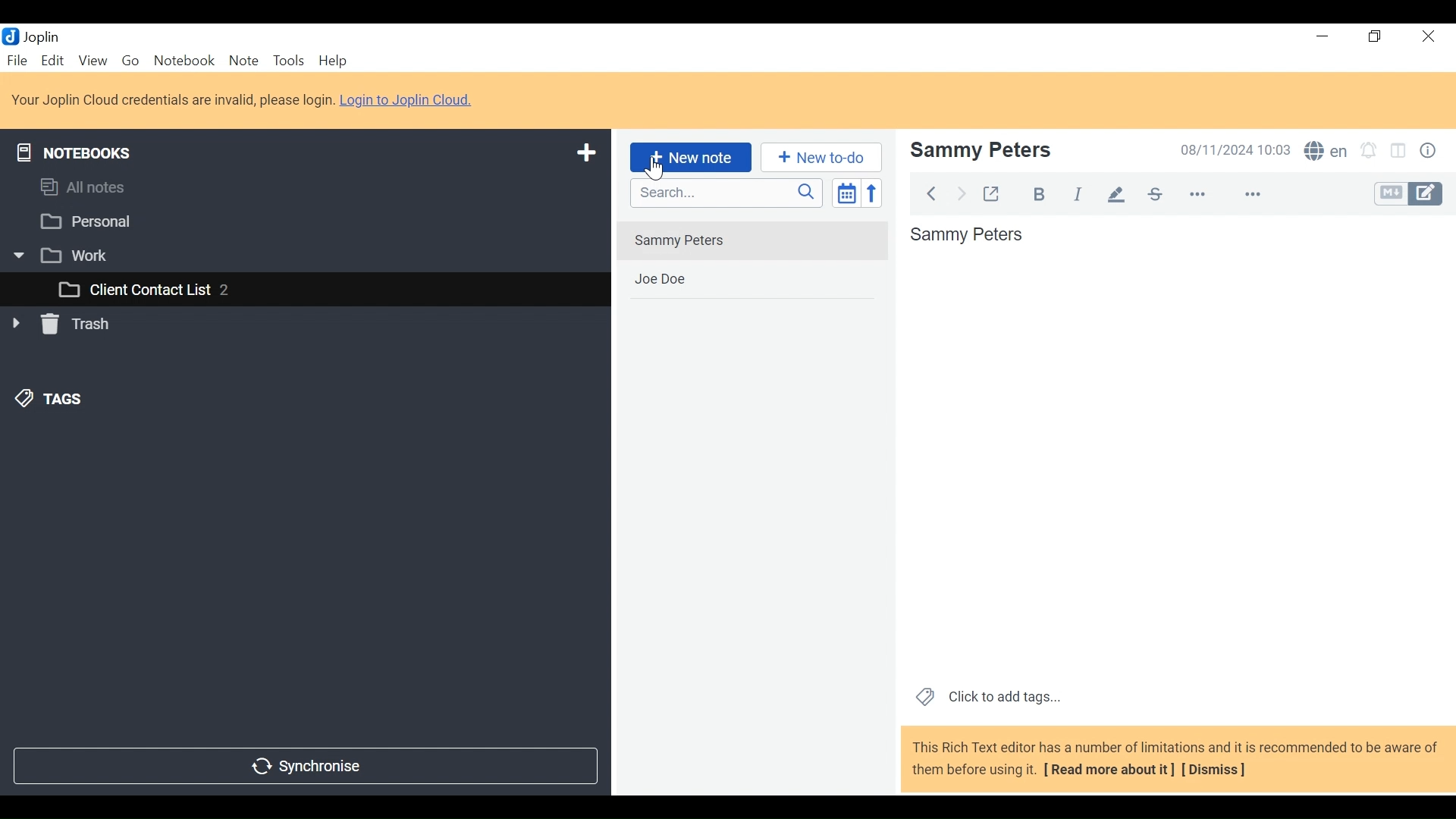 This screenshot has width=1456, height=819. Describe the element at coordinates (1428, 149) in the screenshot. I see `Note Properties` at that location.